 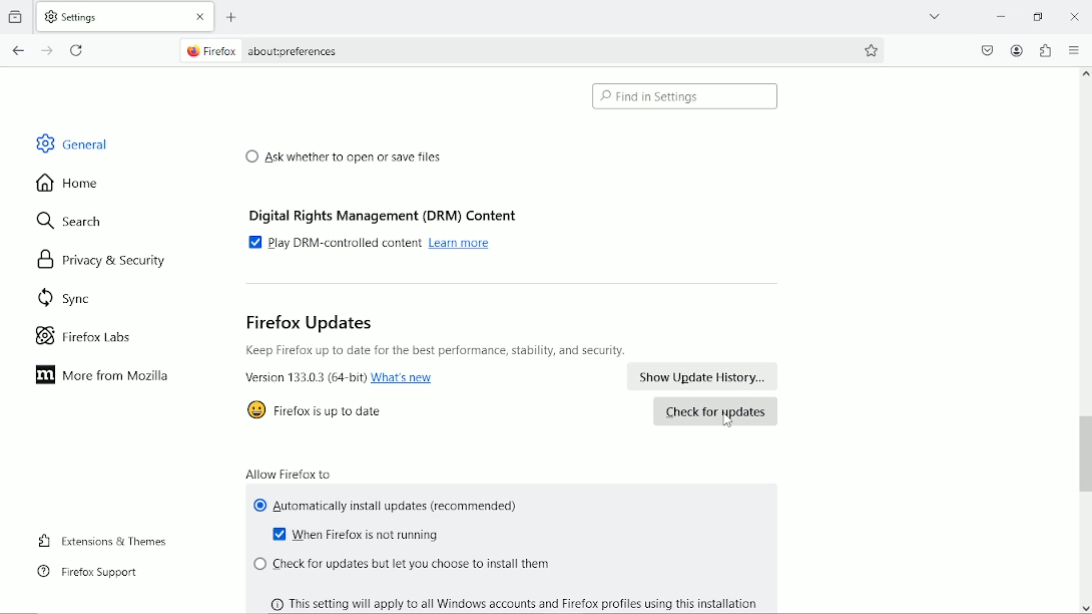 I want to click on add tab, so click(x=238, y=14).